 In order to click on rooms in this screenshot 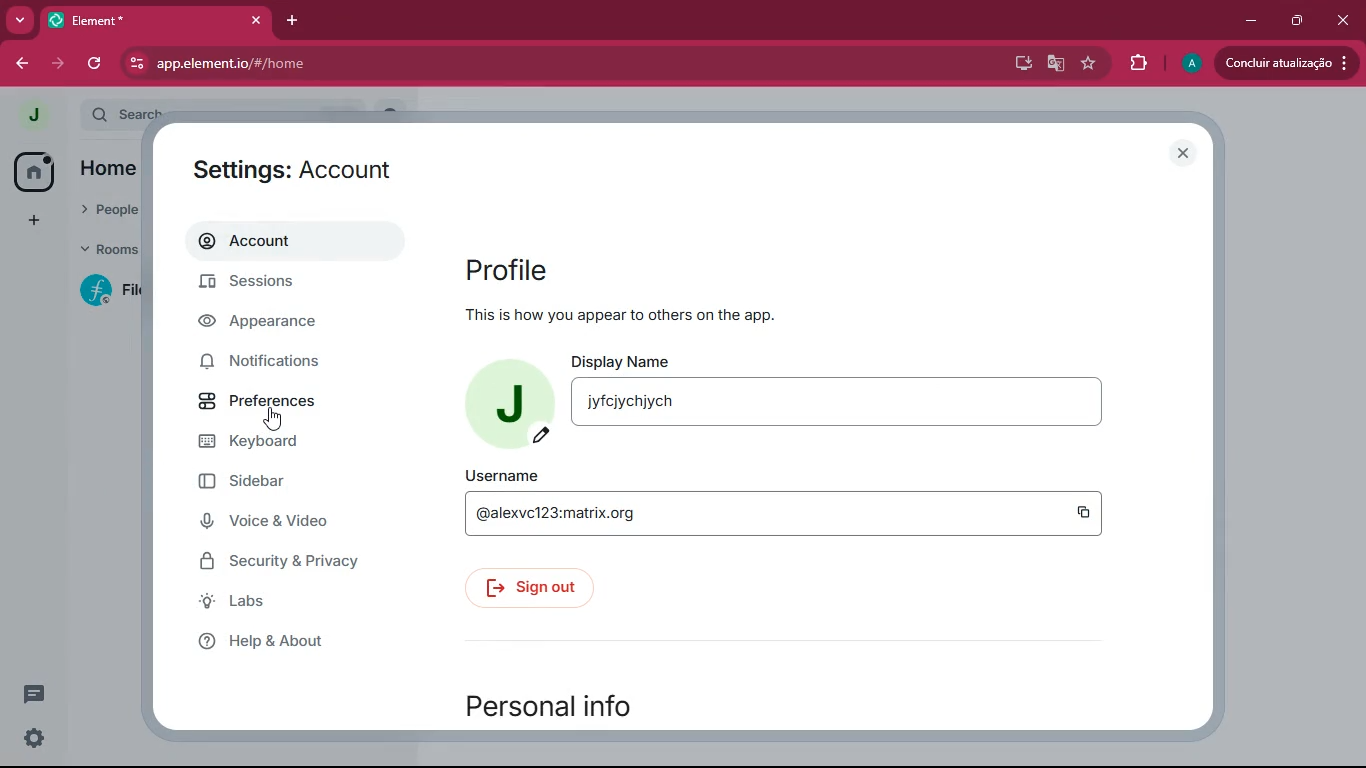, I will do `click(108, 252)`.